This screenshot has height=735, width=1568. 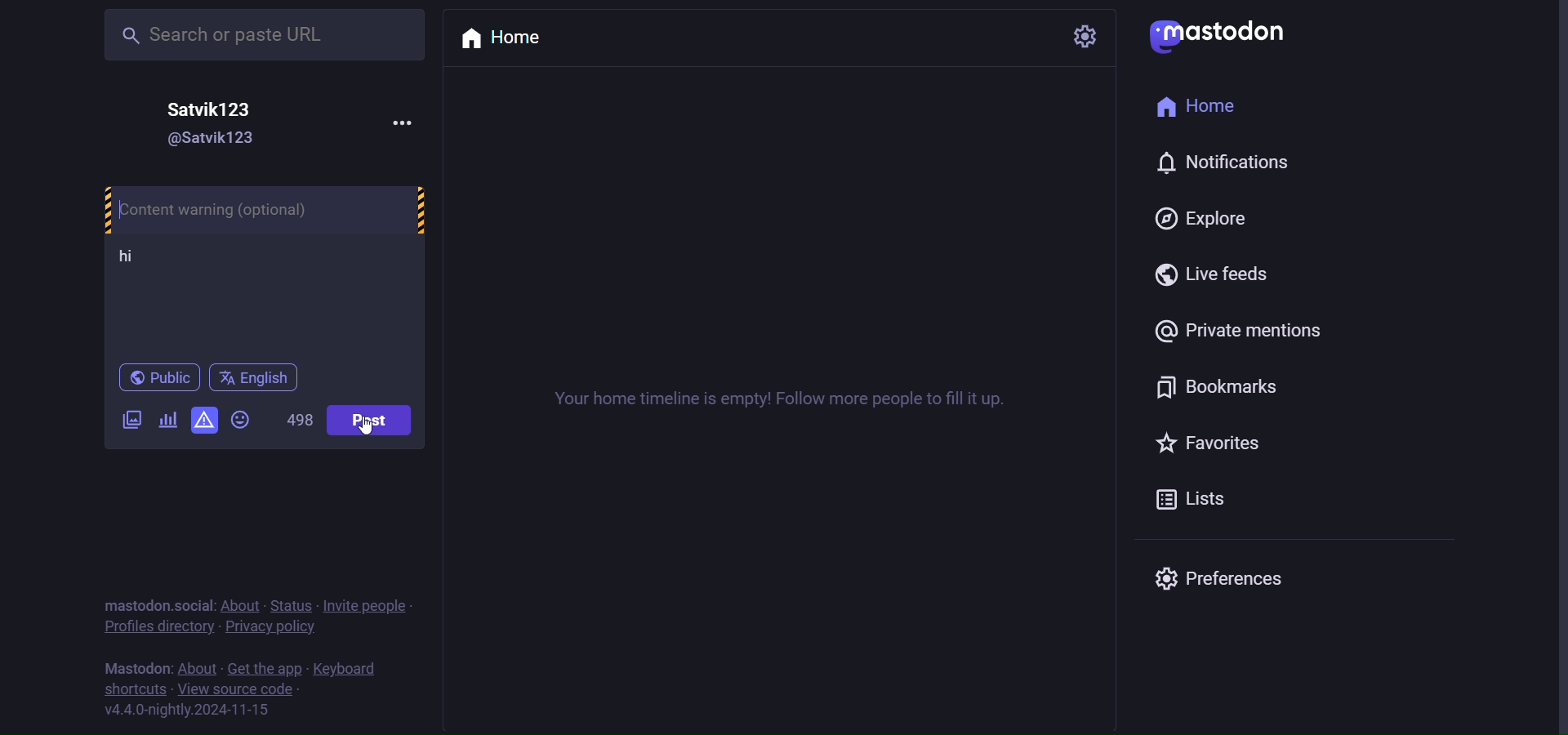 I want to click on text, so click(x=133, y=669).